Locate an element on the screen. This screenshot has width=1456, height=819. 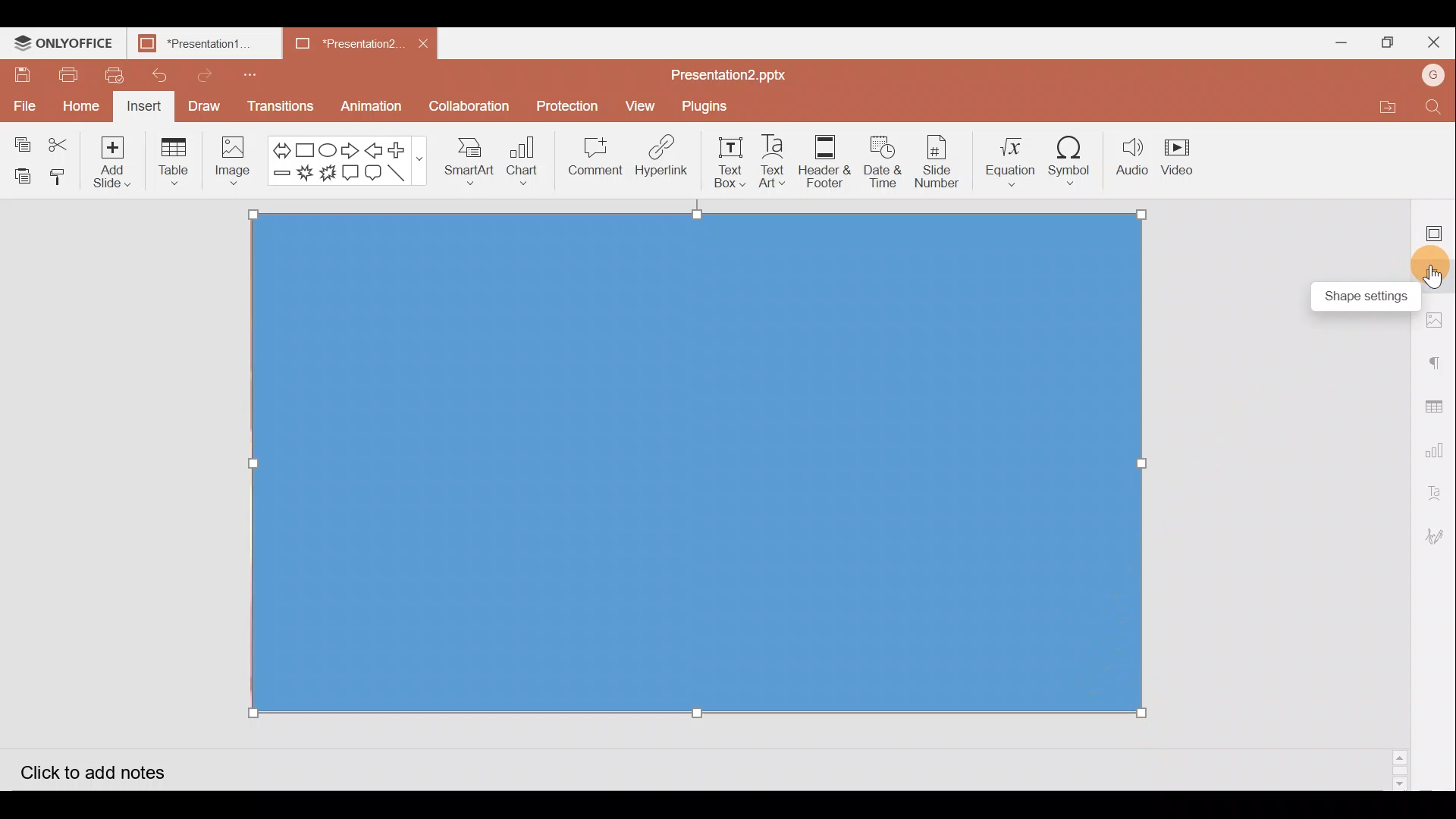
Image is located at coordinates (233, 161).